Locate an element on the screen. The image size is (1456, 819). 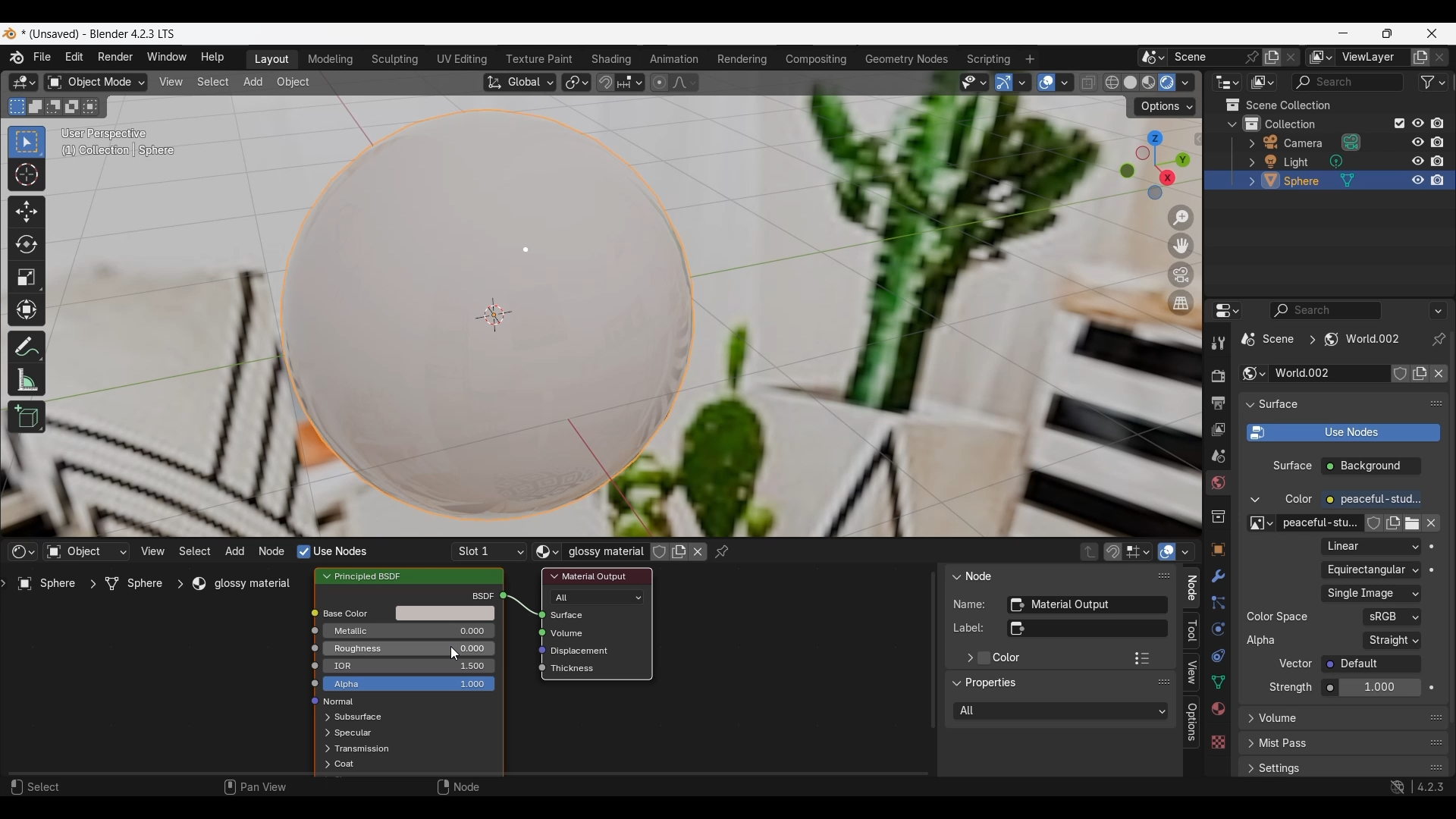
View layer name is located at coordinates (1372, 58).